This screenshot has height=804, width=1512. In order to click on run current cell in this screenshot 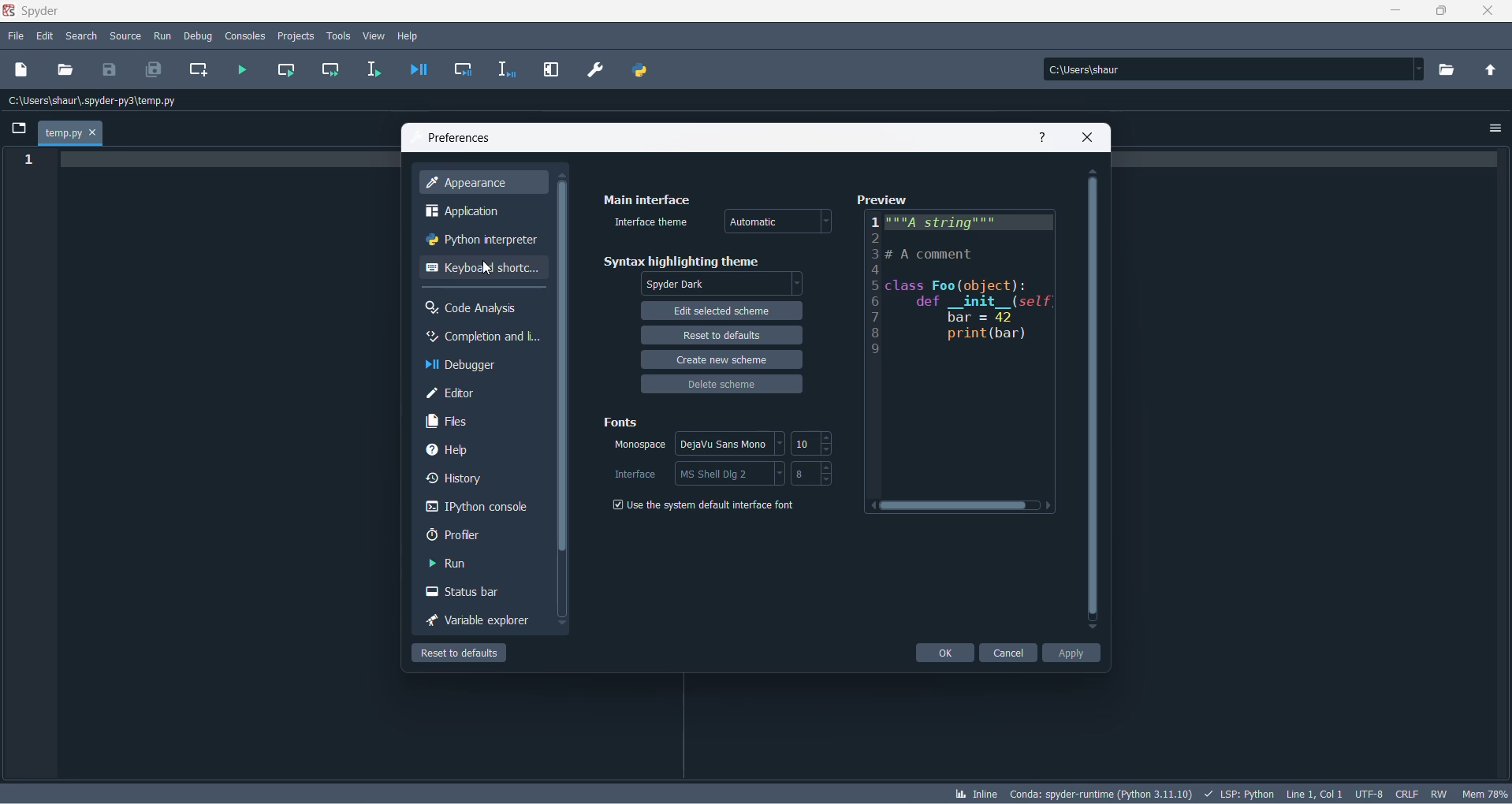, I will do `click(326, 73)`.